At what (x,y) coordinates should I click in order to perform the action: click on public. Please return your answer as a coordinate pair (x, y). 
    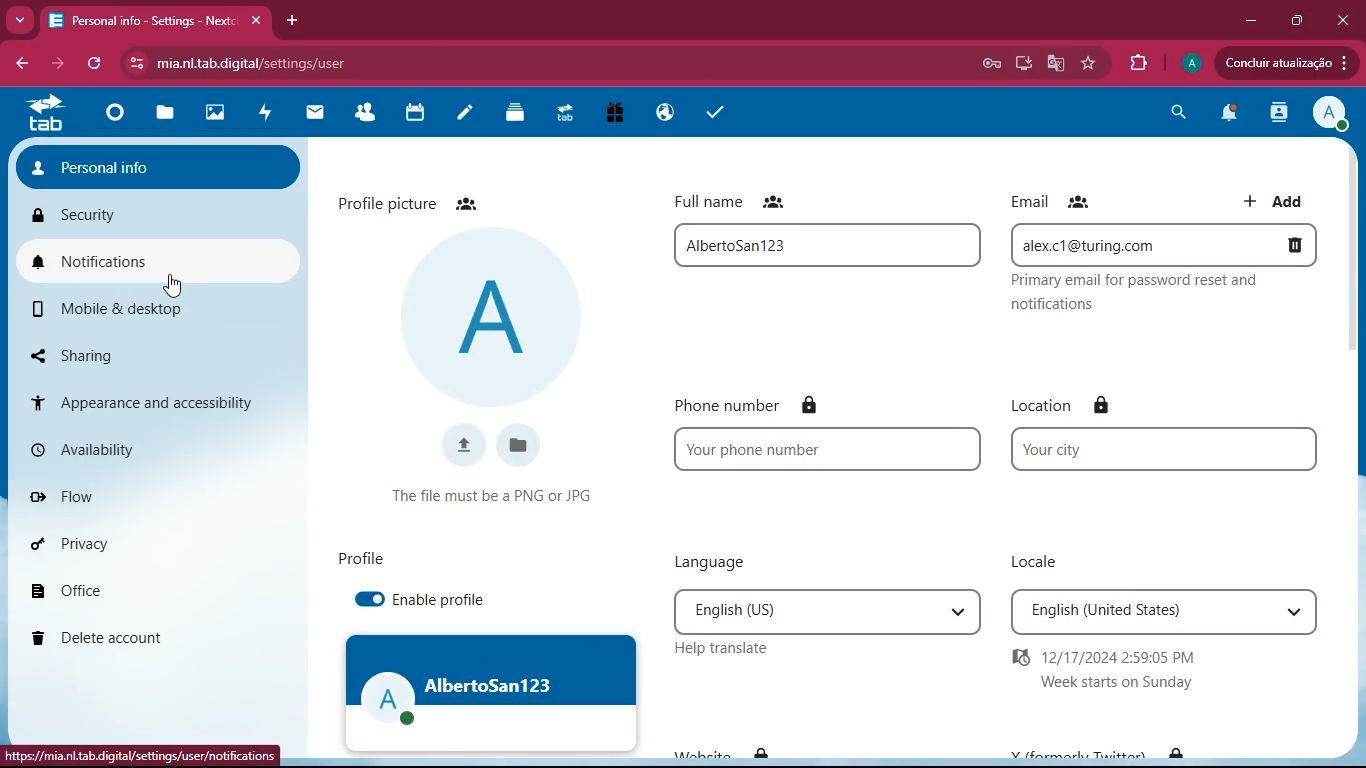
    Looking at the image, I should click on (661, 111).